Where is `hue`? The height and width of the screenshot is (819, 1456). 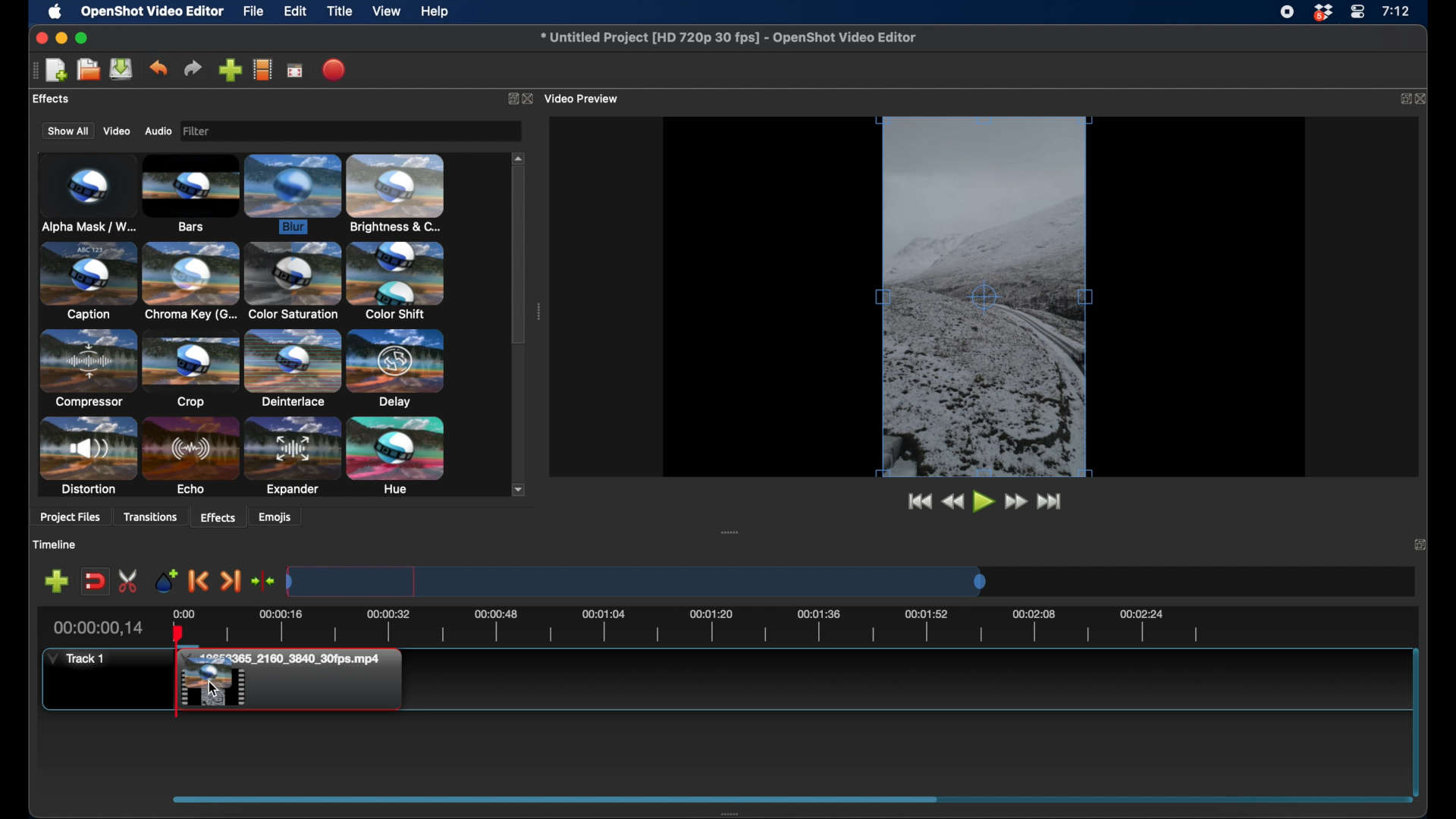 hue is located at coordinates (396, 457).